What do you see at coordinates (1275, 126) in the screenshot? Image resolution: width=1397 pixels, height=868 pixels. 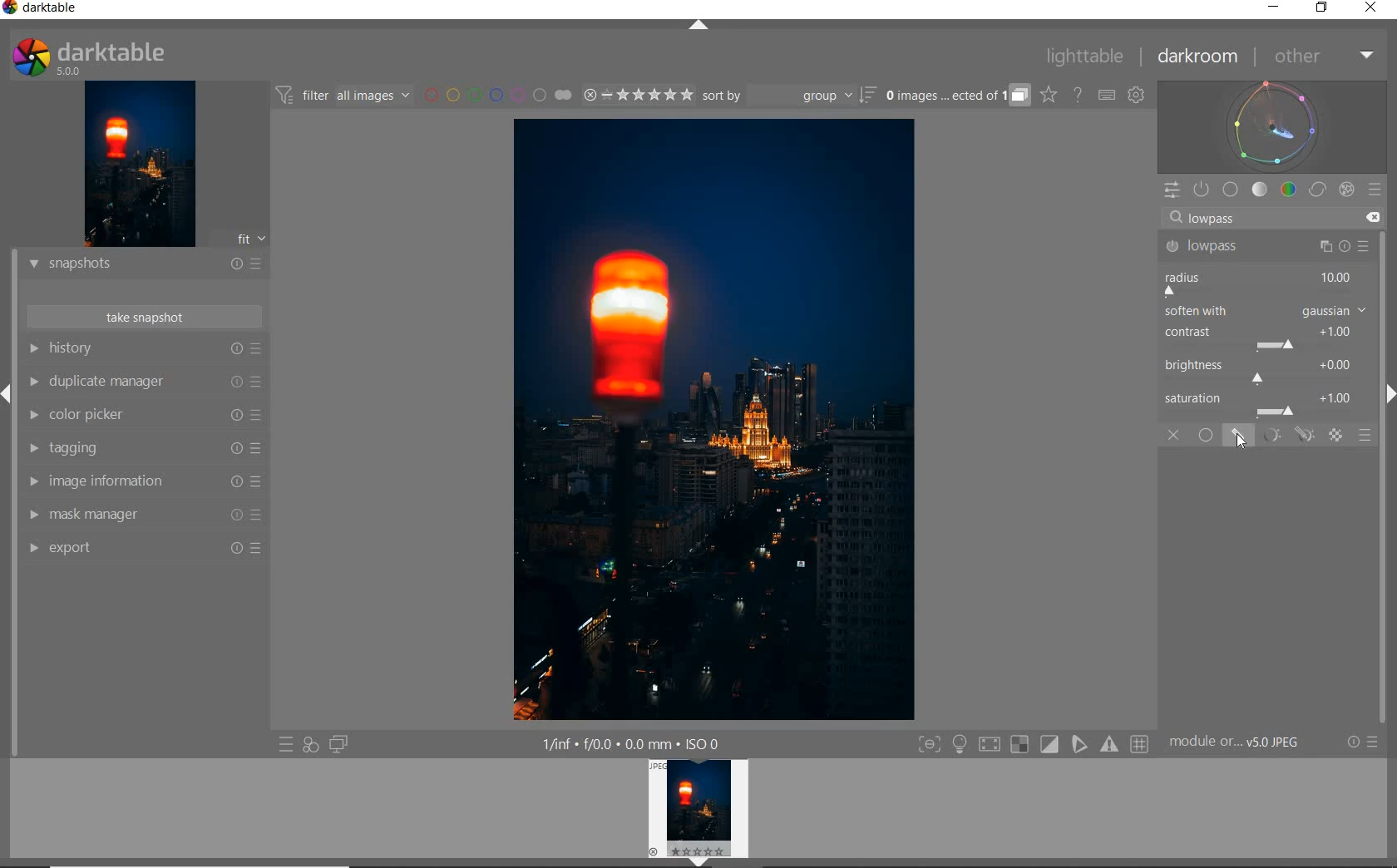 I see `WAVEFORM` at bounding box center [1275, 126].